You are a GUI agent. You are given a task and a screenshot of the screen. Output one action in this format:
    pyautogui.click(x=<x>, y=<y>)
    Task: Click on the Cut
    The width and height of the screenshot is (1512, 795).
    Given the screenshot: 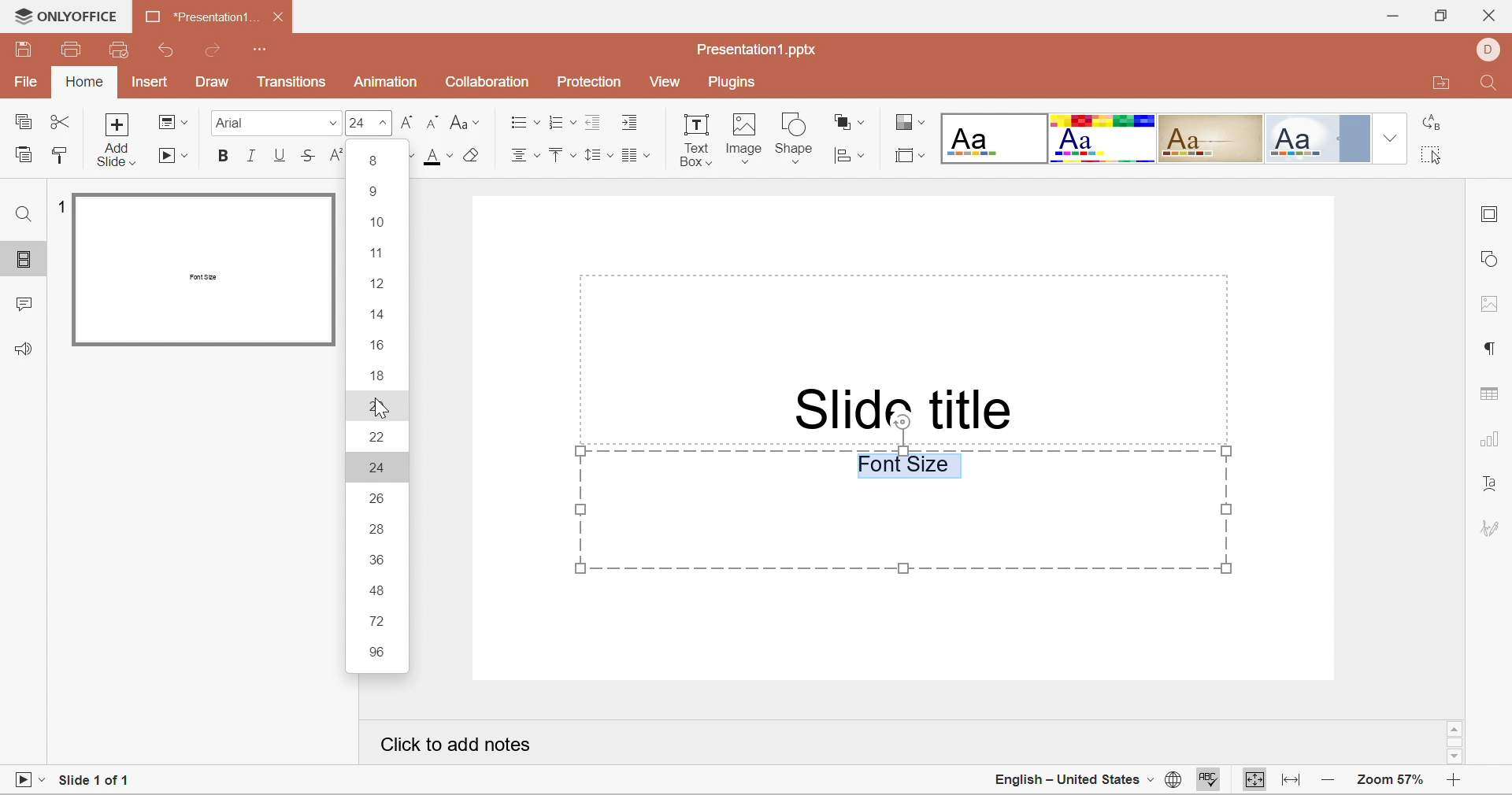 What is the action you would take?
    pyautogui.click(x=62, y=124)
    